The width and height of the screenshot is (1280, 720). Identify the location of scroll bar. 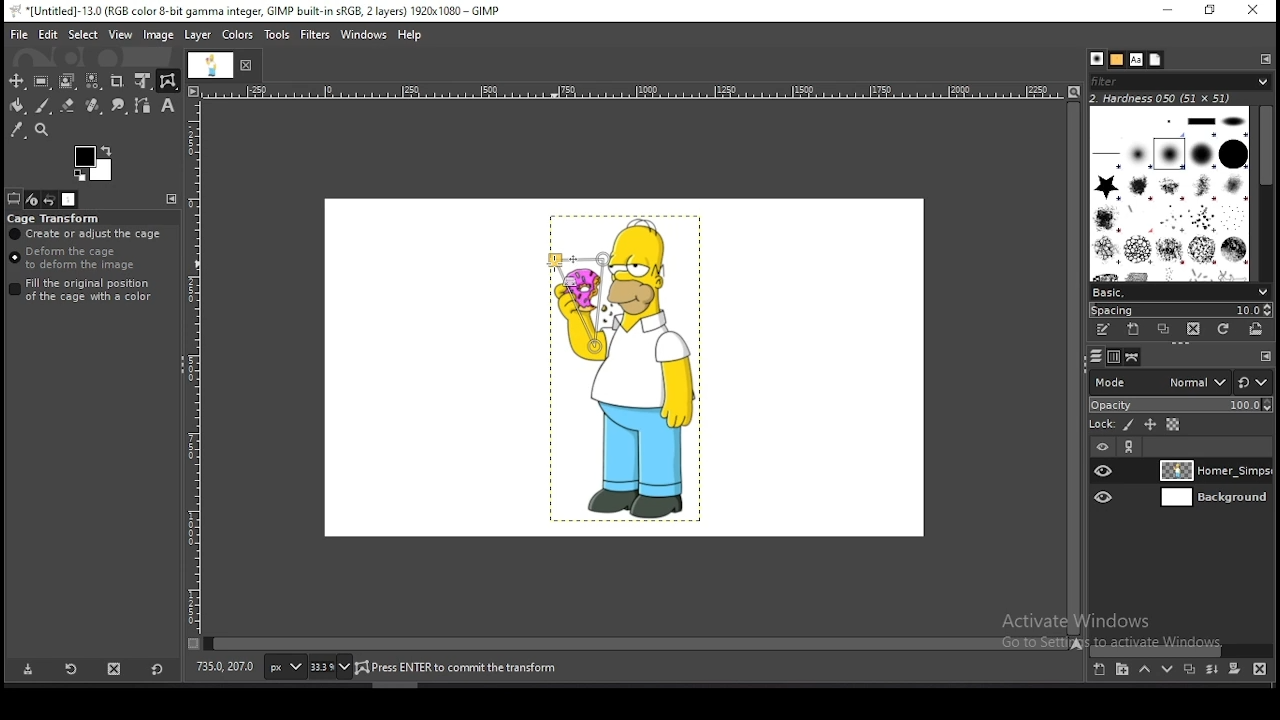
(1182, 649).